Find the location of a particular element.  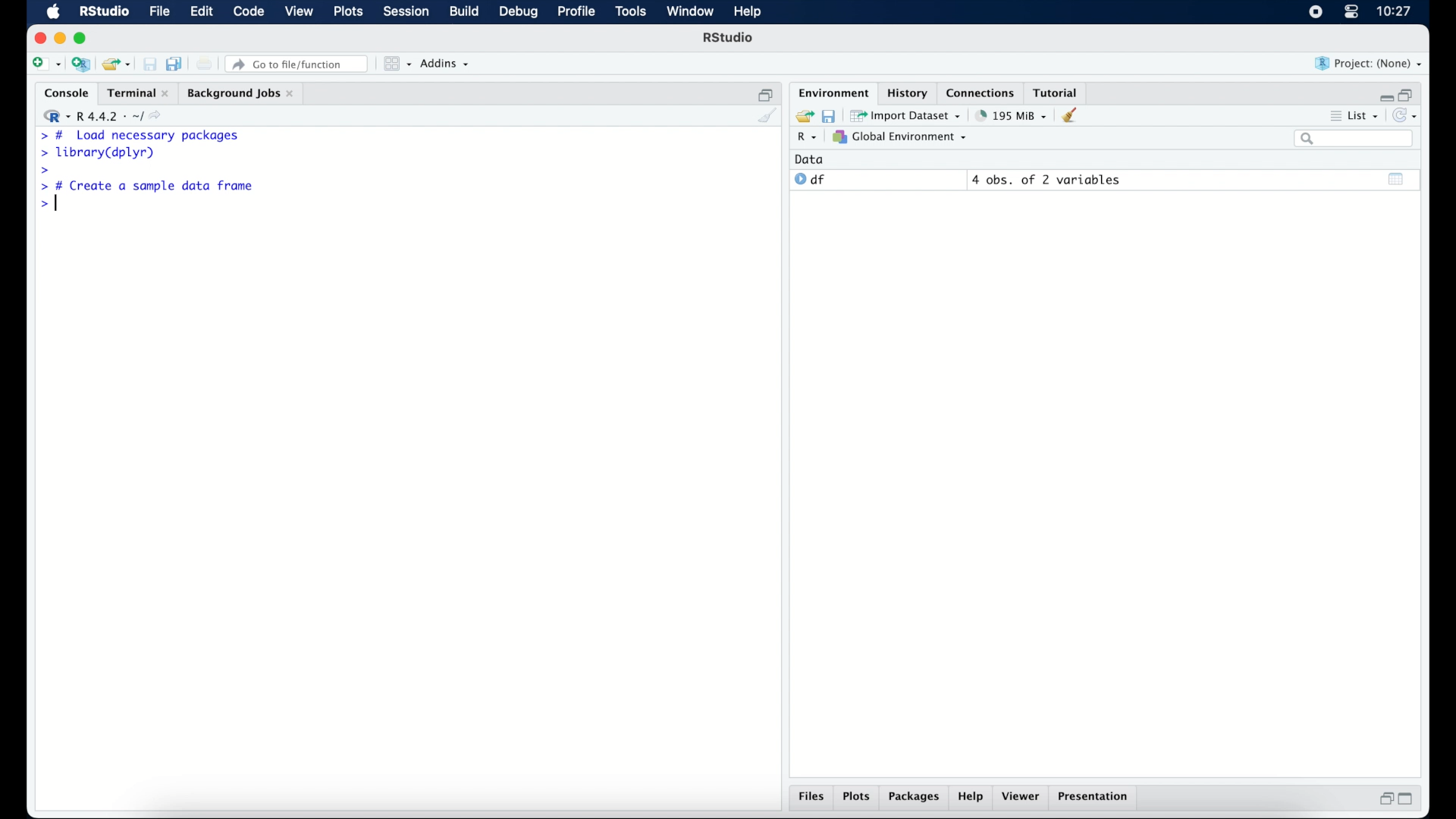

global environment is located at coordinates (900, 137).